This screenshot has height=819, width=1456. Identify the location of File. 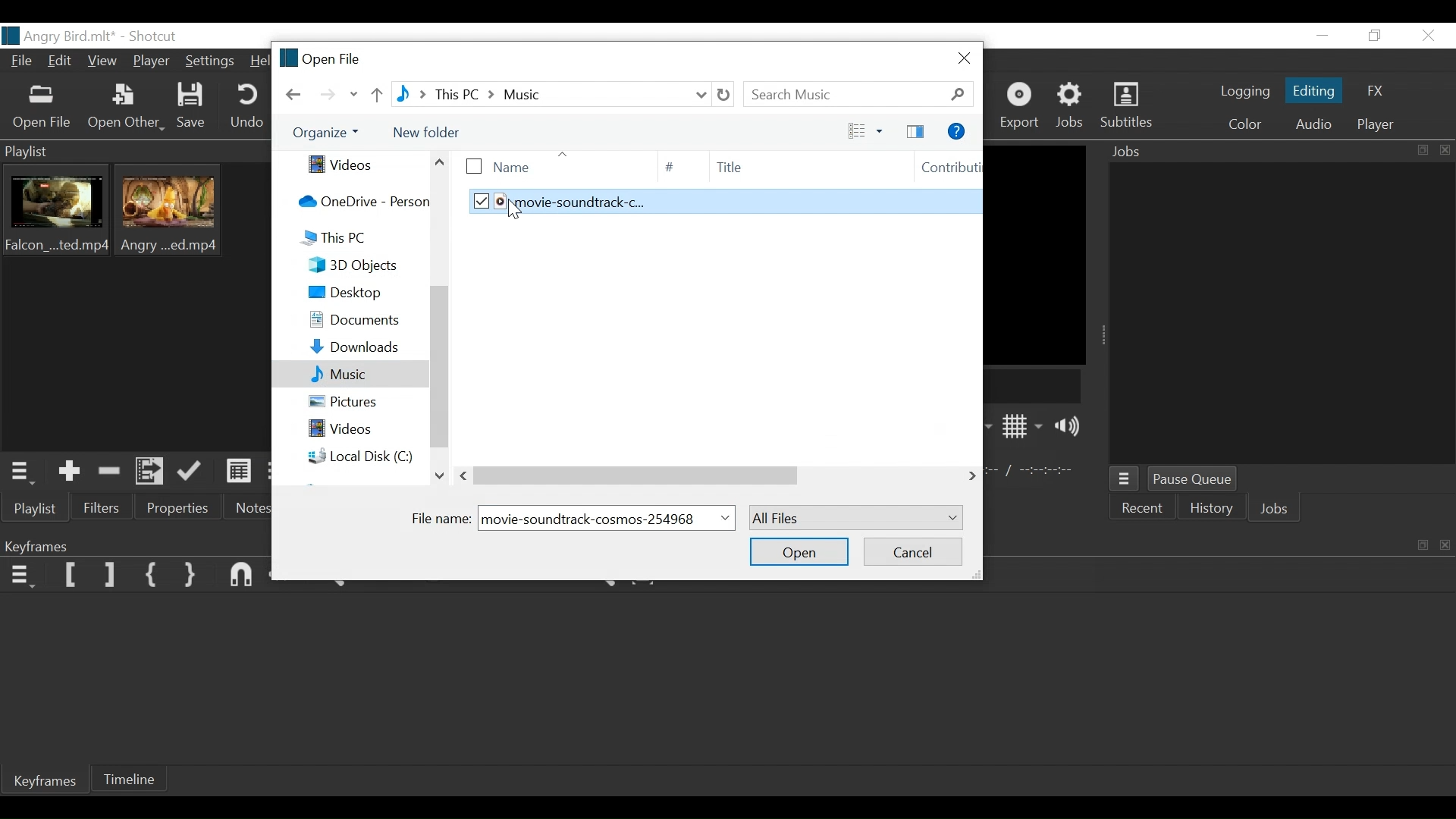
(18, 62).